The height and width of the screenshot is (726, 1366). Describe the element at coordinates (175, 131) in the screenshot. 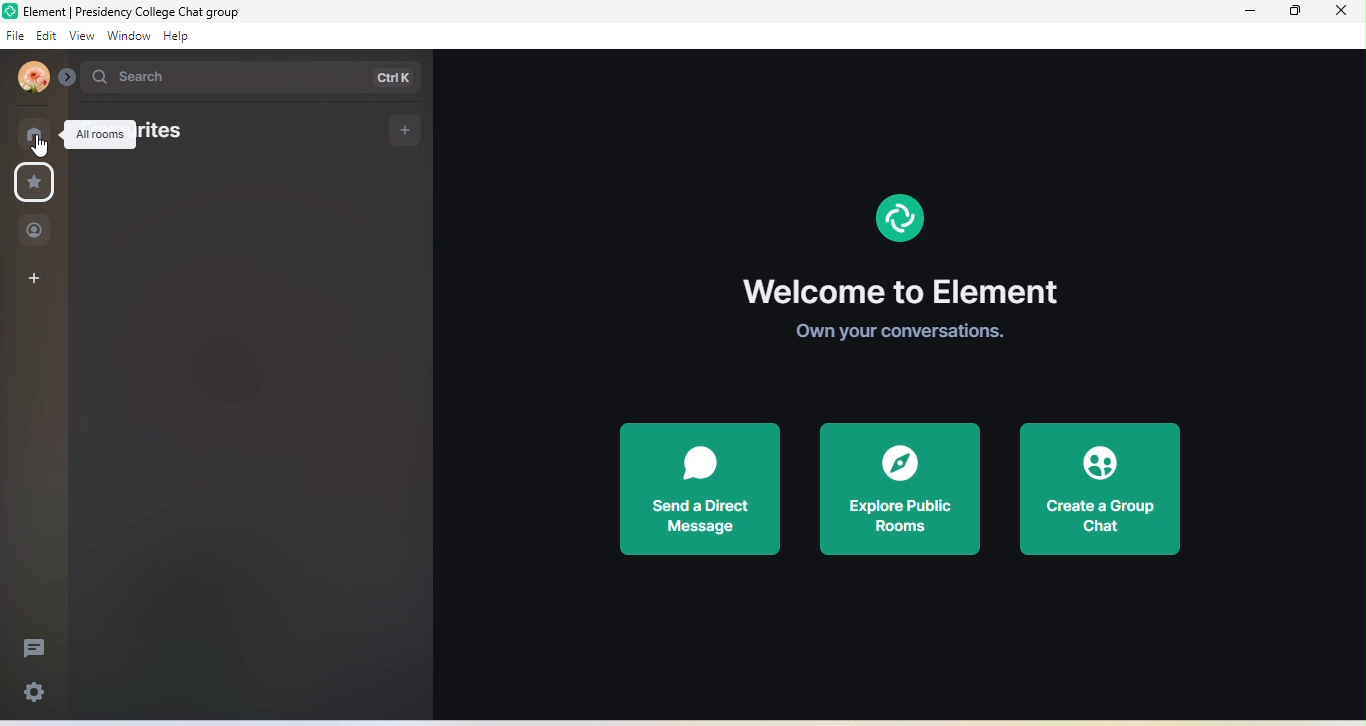

I see `favourites` at that location.